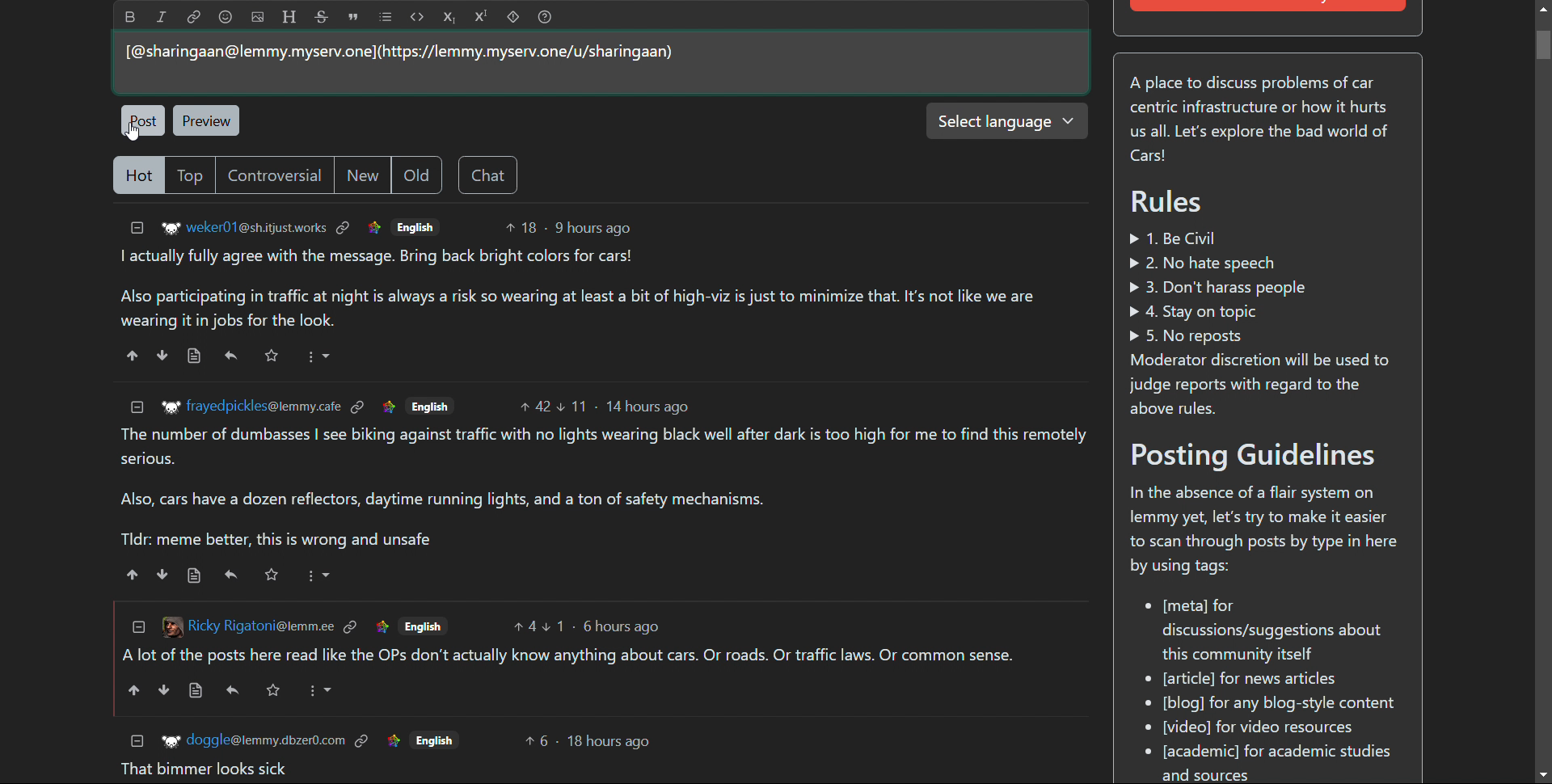  Describe the element at coordinates (388, 406) in the screenshot. I see `link` at that location.